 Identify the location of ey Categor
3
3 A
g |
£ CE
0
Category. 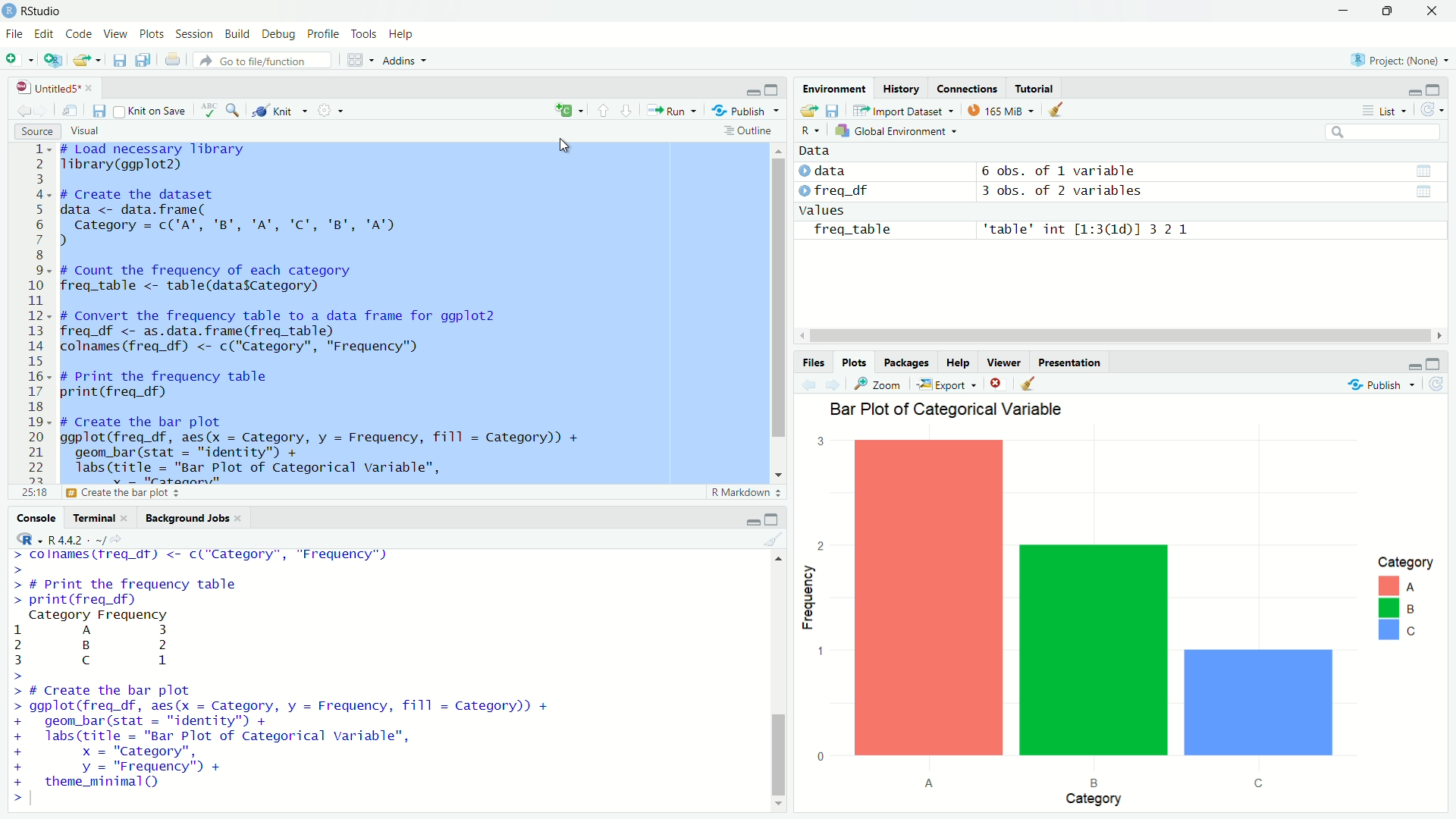
(1127, 620).